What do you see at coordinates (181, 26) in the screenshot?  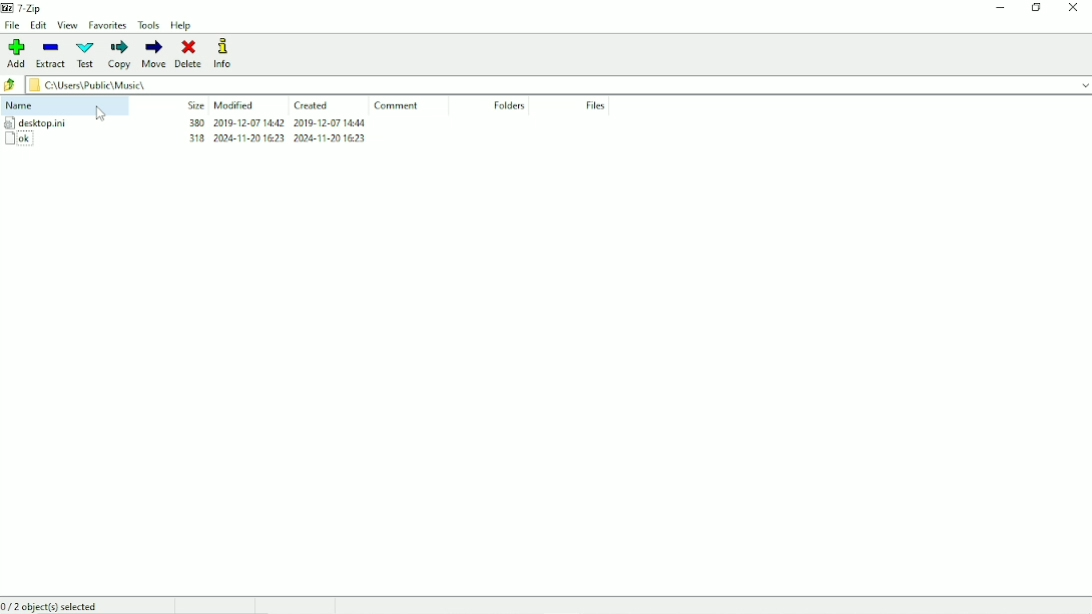 I see `Help` at bounding box center [181, 26].